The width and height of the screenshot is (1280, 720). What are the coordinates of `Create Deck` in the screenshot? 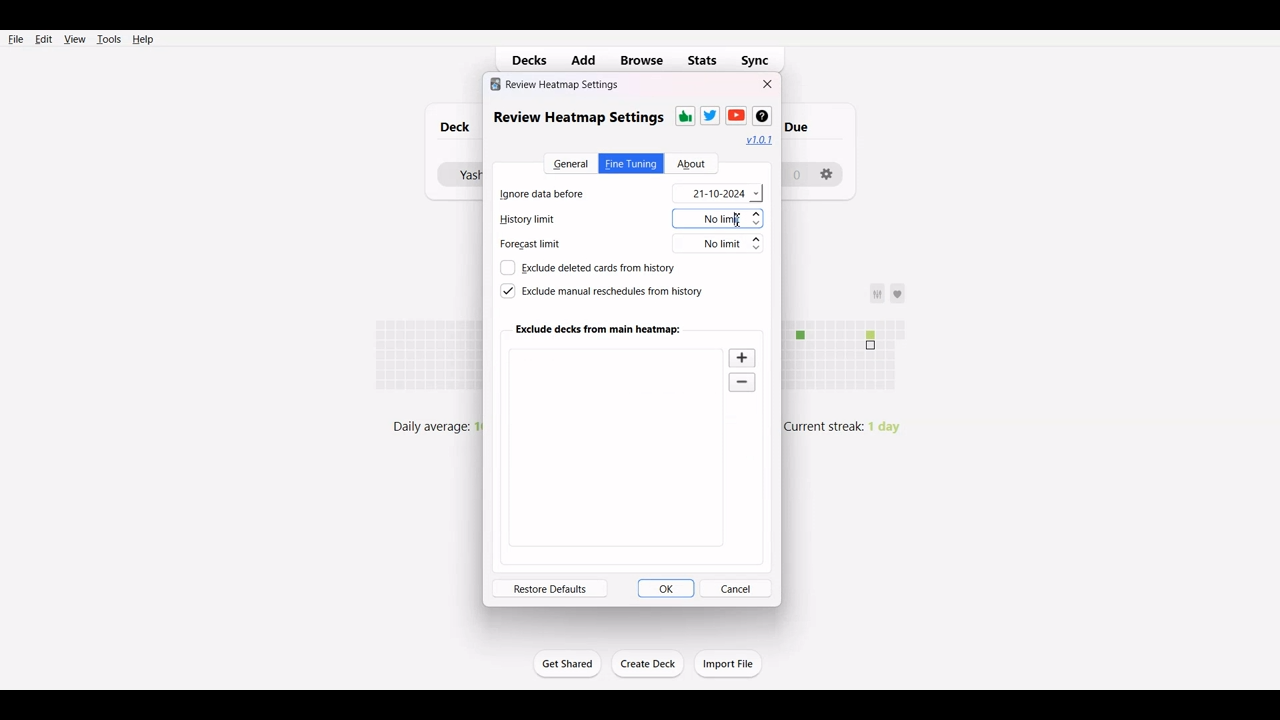 It's located at (649, 664).